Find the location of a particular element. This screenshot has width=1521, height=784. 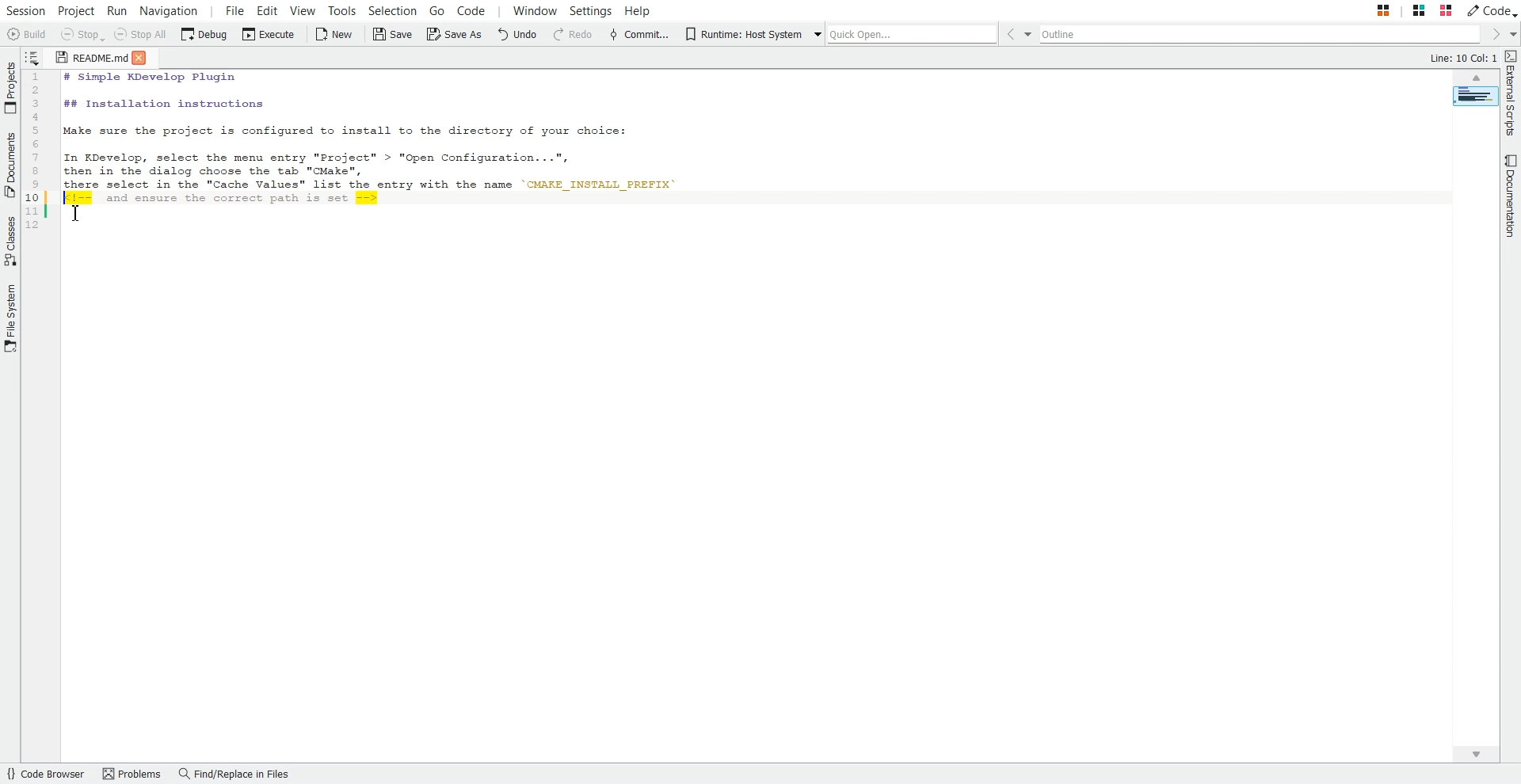

Edit is located at coordinates (268, 10).